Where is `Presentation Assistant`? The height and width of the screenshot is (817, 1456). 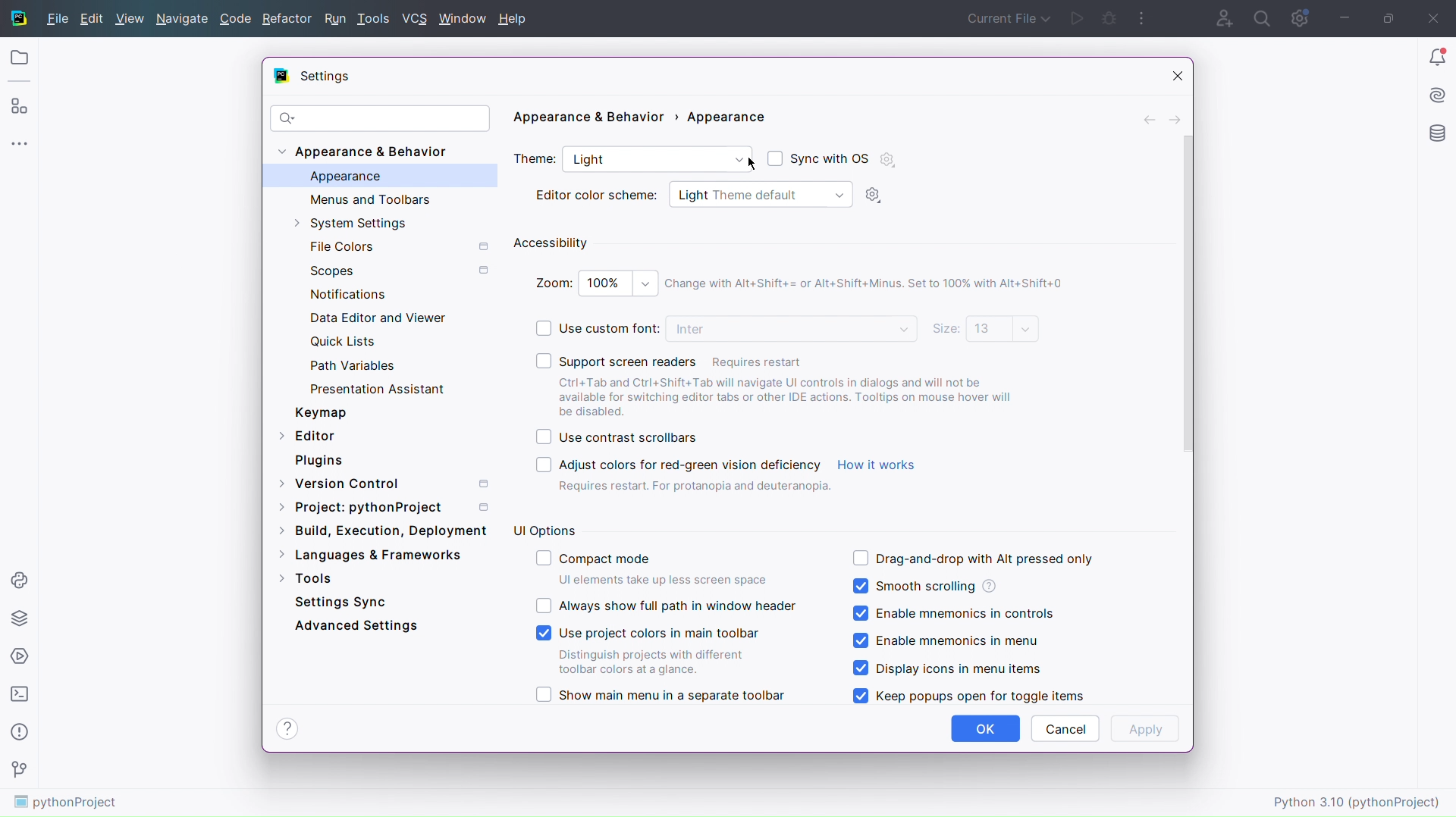
Presentation Assistant is located at coordinates (379, 388).